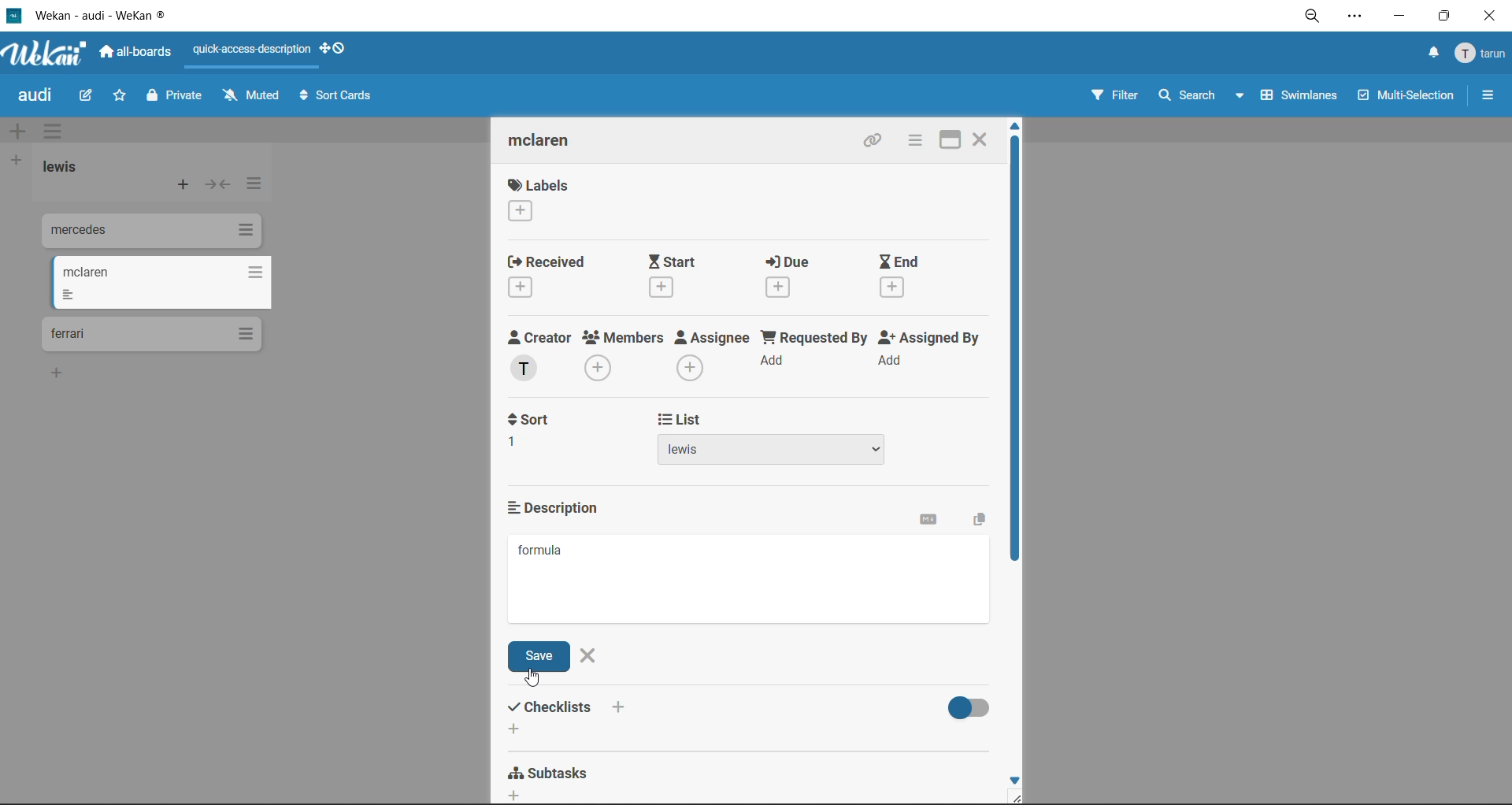 The image size is (1512, 805). Describe the element at coordinates (1294, 99) in the screenshot. I see `swimlanes` at that location.